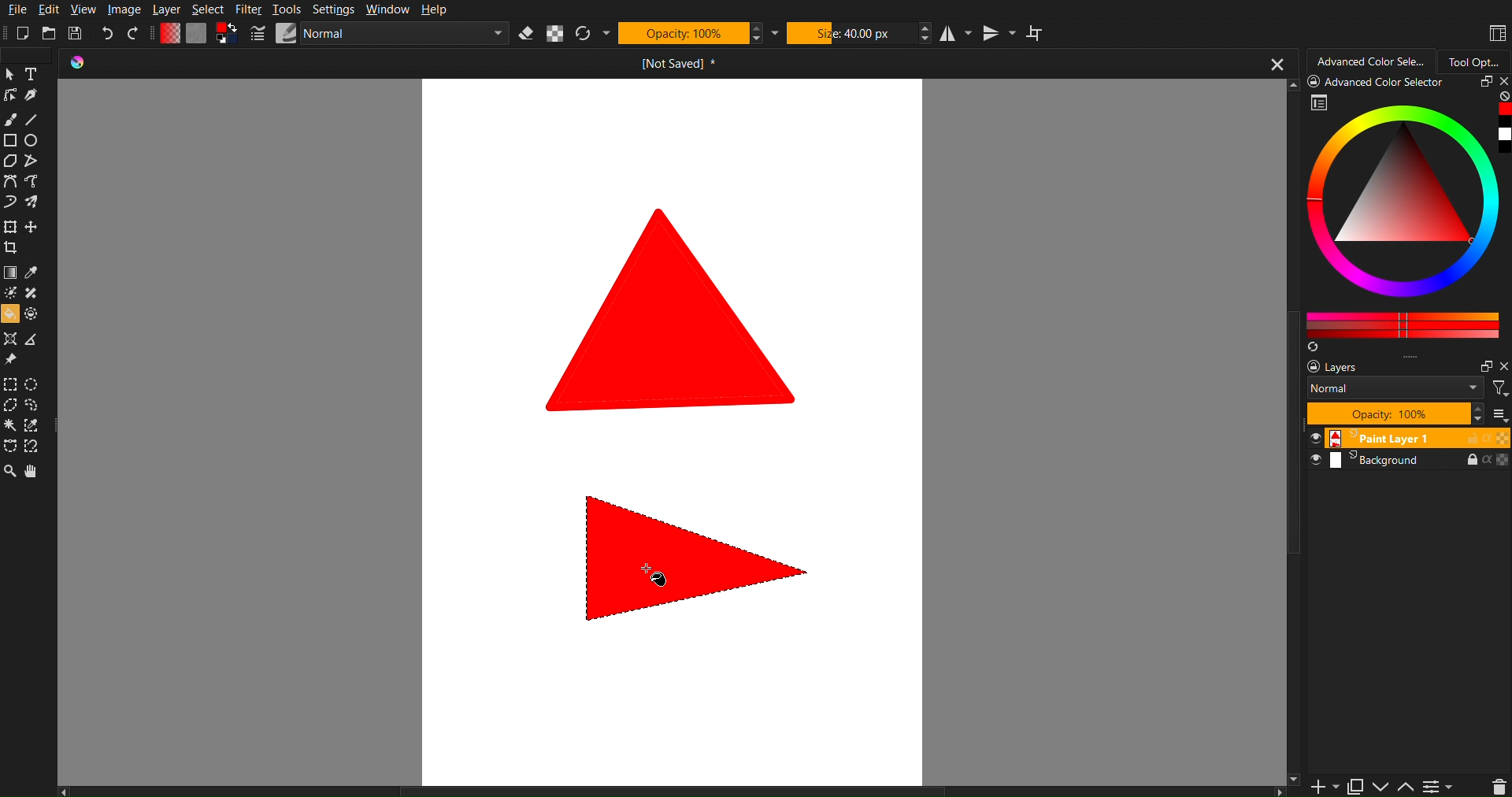 The width and height of the screenshot is (1512, 797). I want to click on Menu, so click(1438, 786).